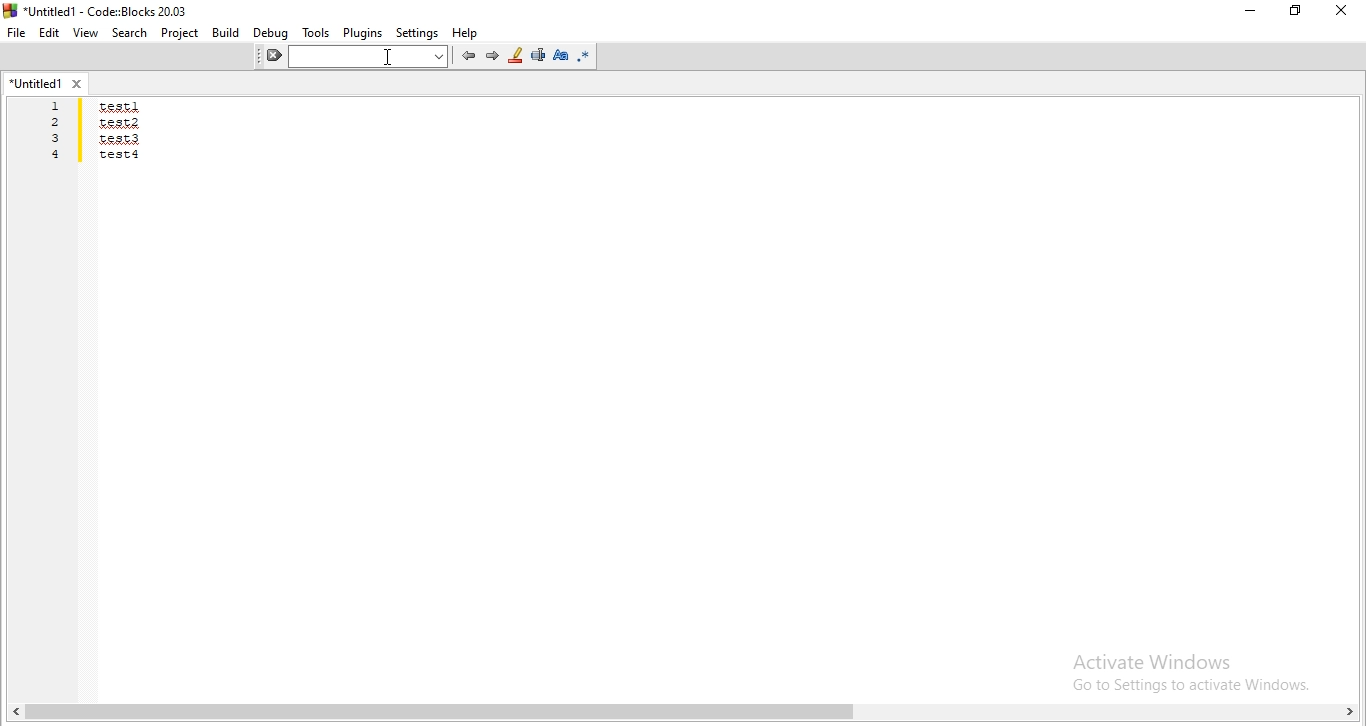 The height and width of the screenshot is (726, 1366). Describe the element at coordinates (1177, 668) in the screenshot. I see `Activate Windows
Go to Settings to activate Windows.` at that location.